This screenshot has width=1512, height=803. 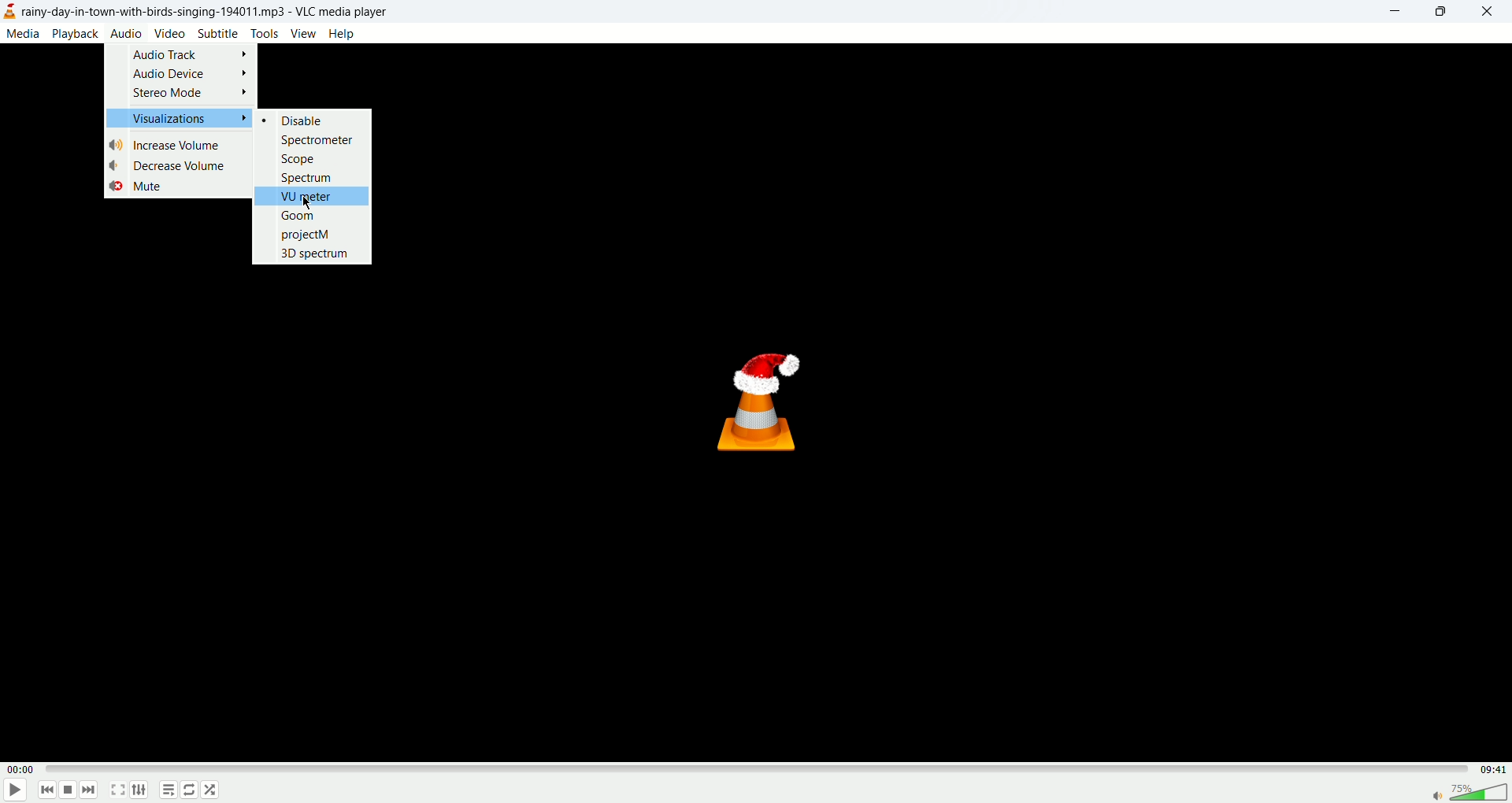 What do you see at coordinates (298, 215) in the screenshot?
I see `Goom` at bounding box center [298, 215].